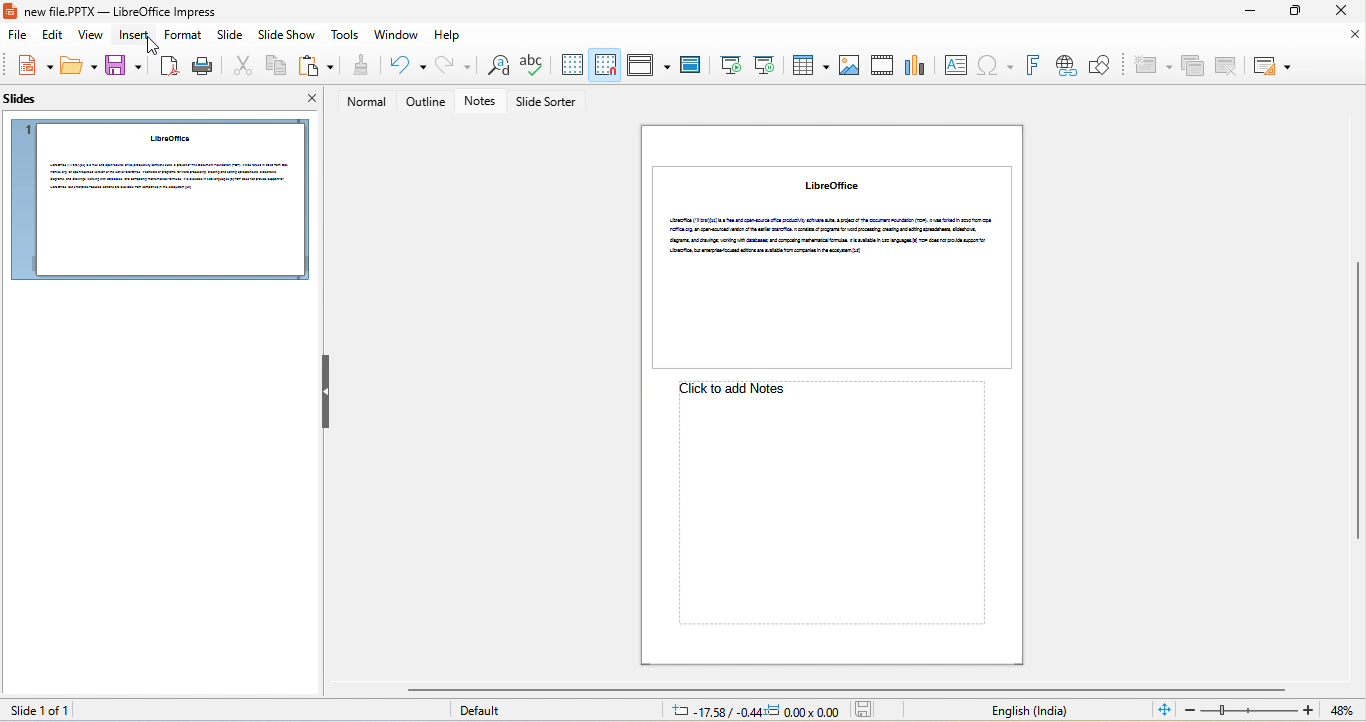 This screenshot has width=1366, height=722. Describe the element at coordinates (729, 65) in the screenshot. I see `start from first slide` at that location.